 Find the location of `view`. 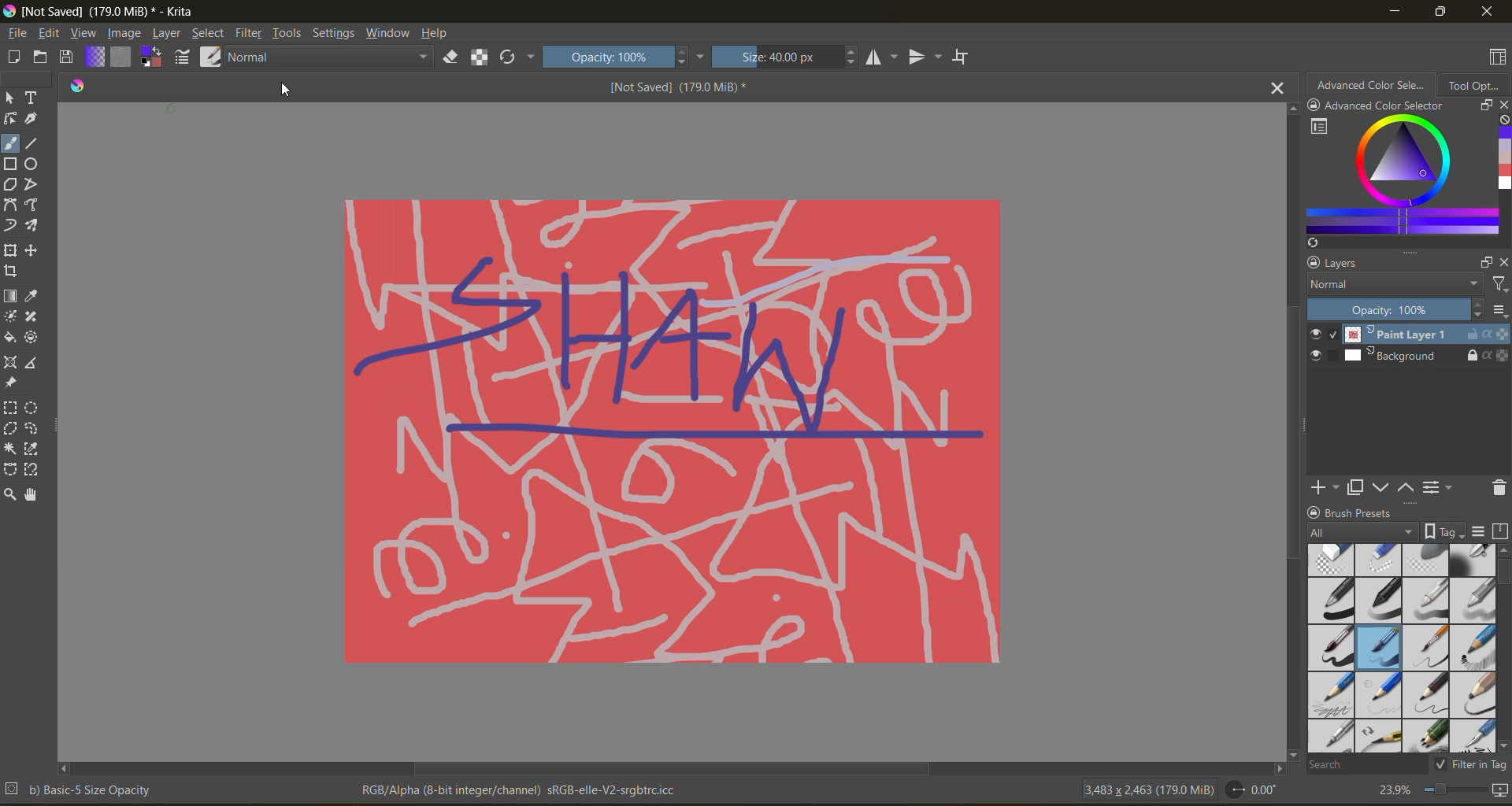

view is located at coordinates (84, 32).